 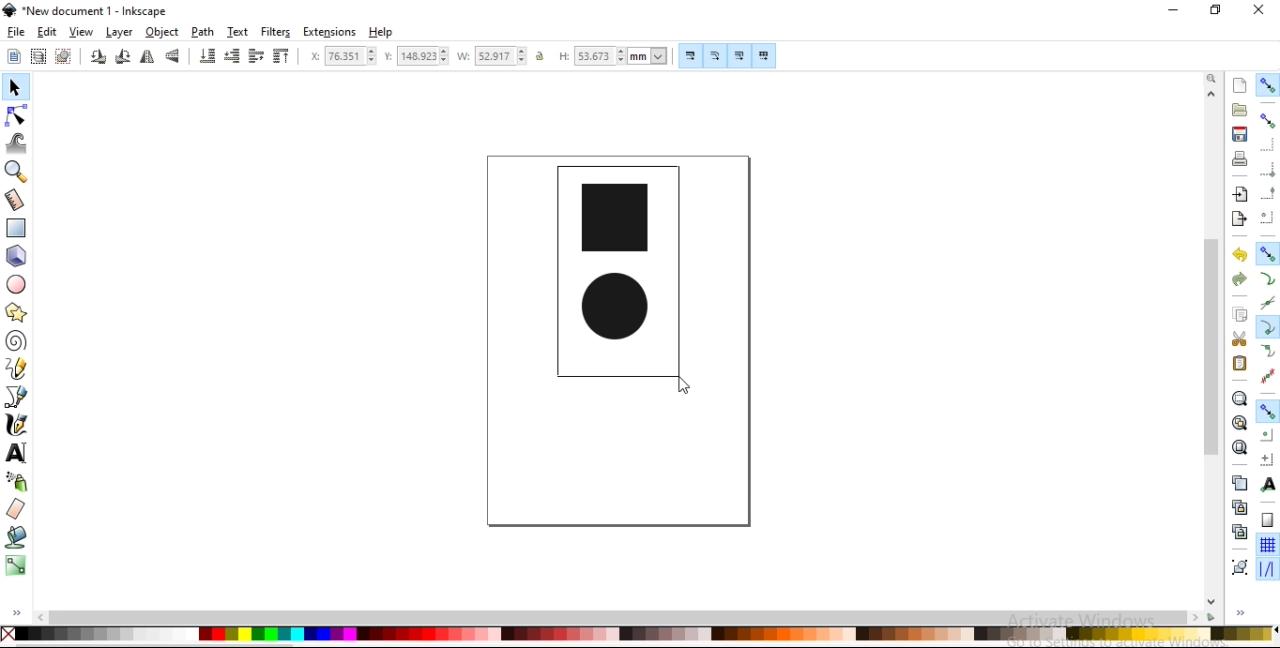 What do you see at coordinates (1214, 341) in the screenshot?
I see `scrollbar` at bounding box center [1214, 341].